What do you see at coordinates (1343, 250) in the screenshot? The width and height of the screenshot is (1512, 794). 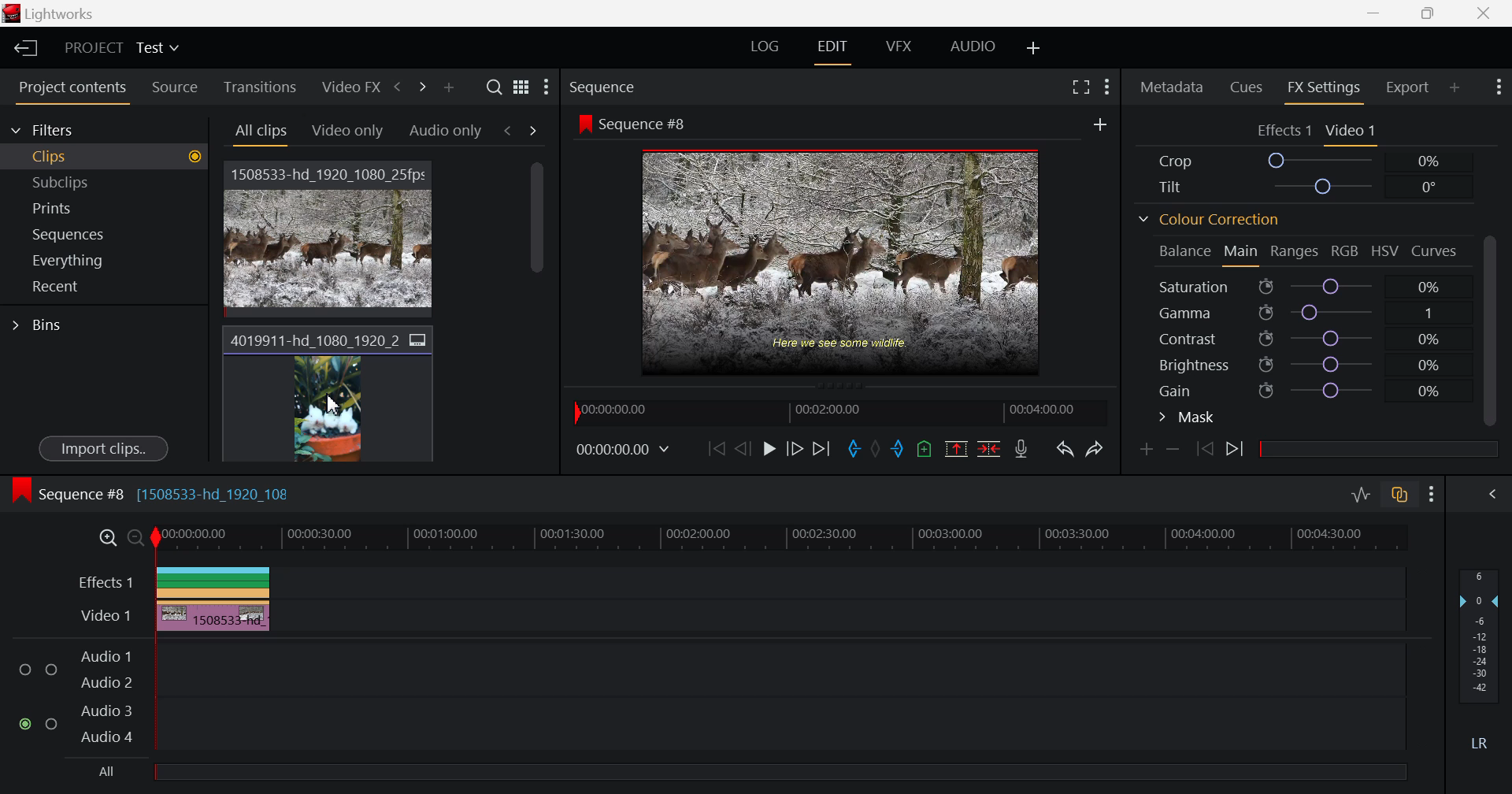 I see `RGB` at bounding box center [1343, 250].